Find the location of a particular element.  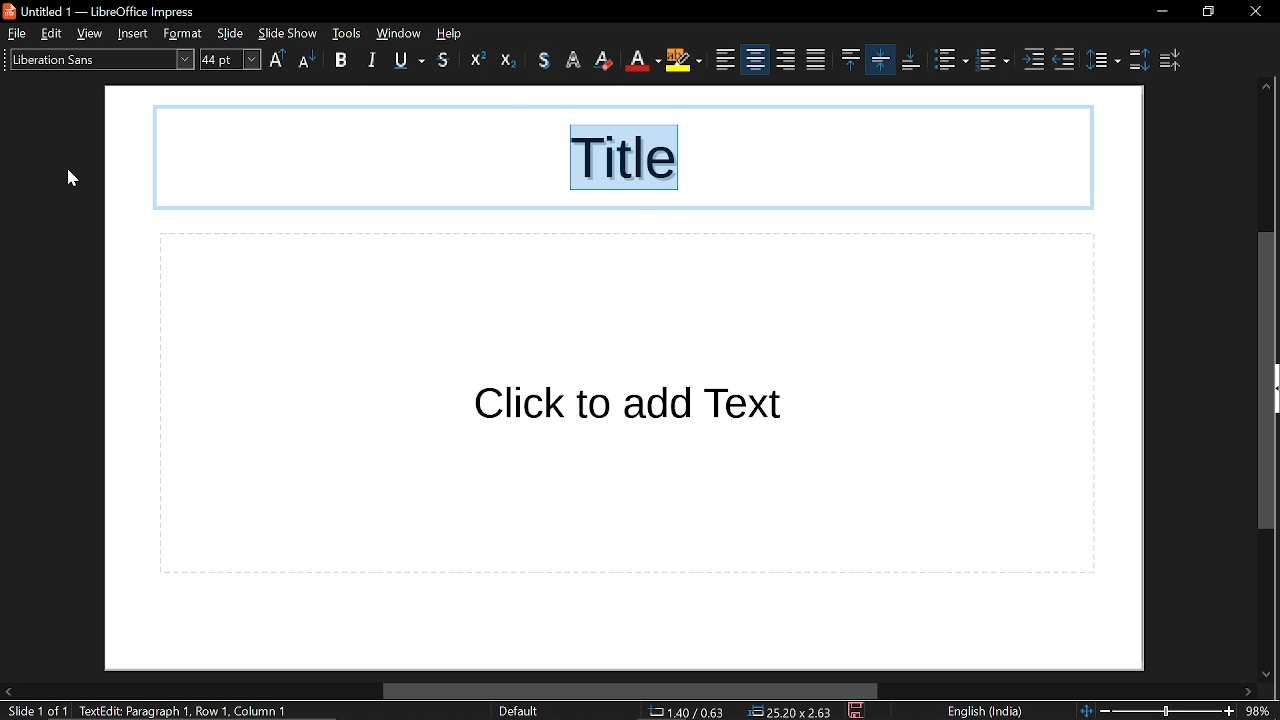

align bottom is located at coordinates (881, 59).